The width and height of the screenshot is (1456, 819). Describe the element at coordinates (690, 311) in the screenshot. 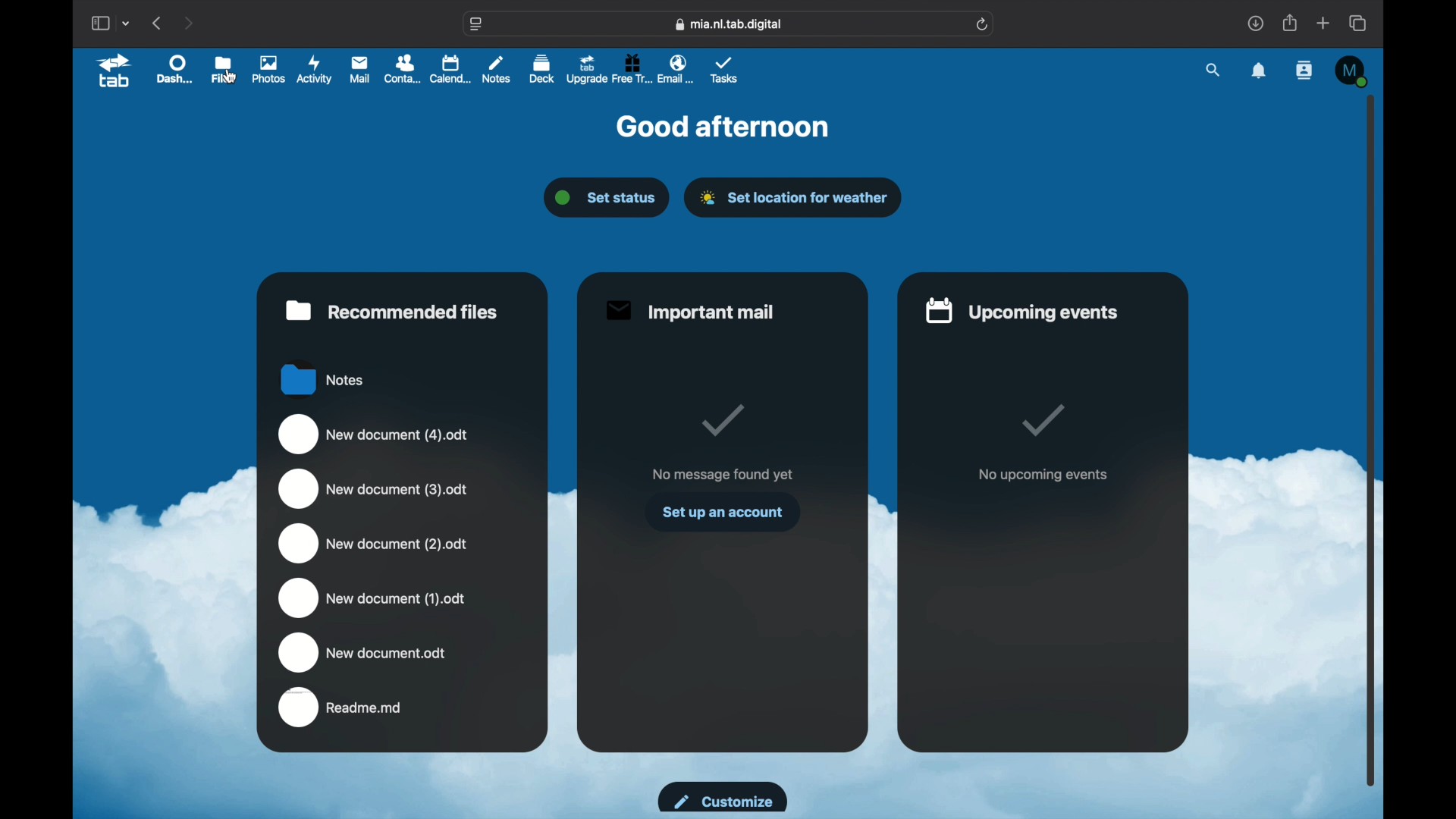

I see `important mail` at that location.